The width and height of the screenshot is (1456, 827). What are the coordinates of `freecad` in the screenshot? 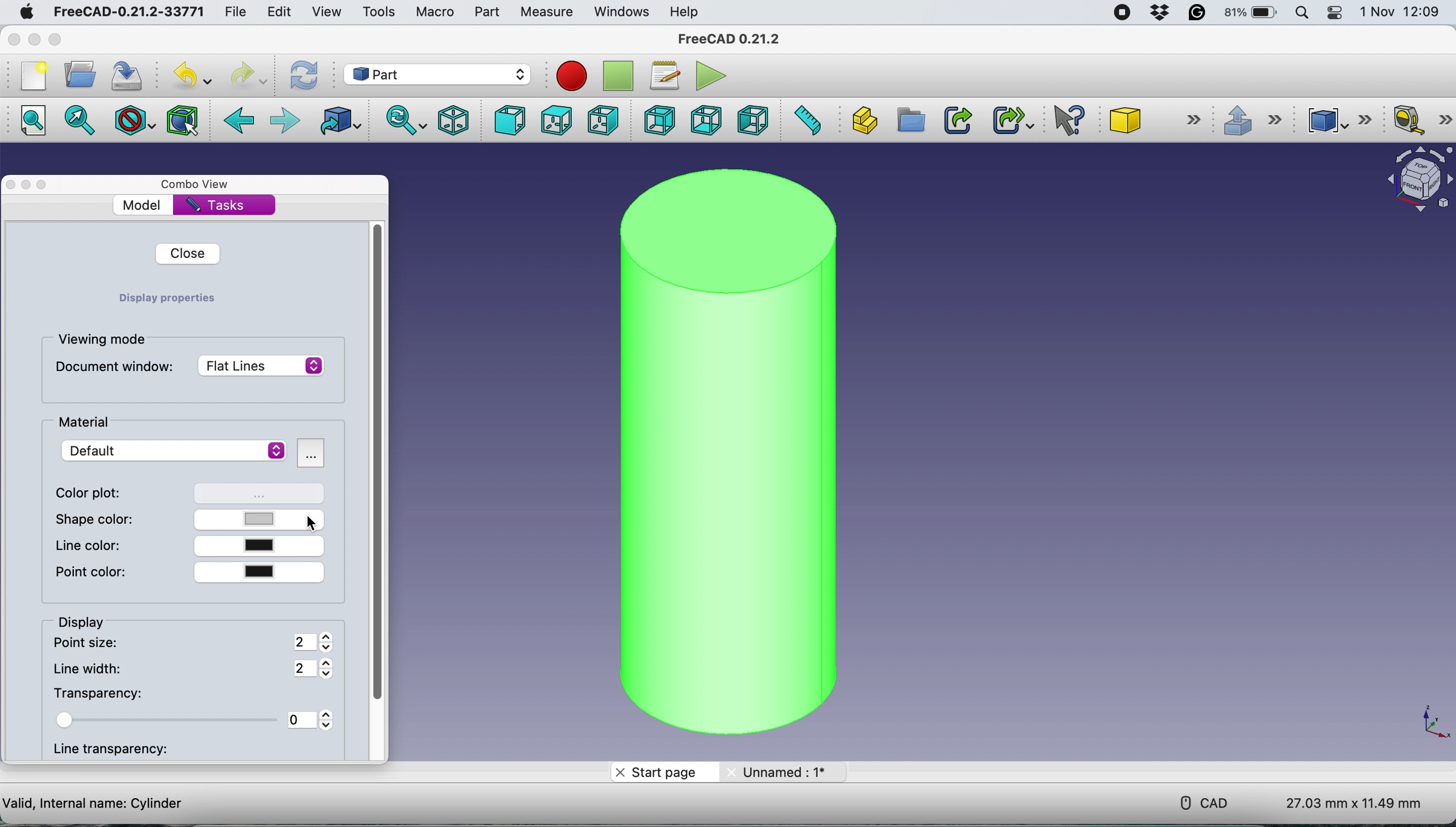 It's located at (729, 36).